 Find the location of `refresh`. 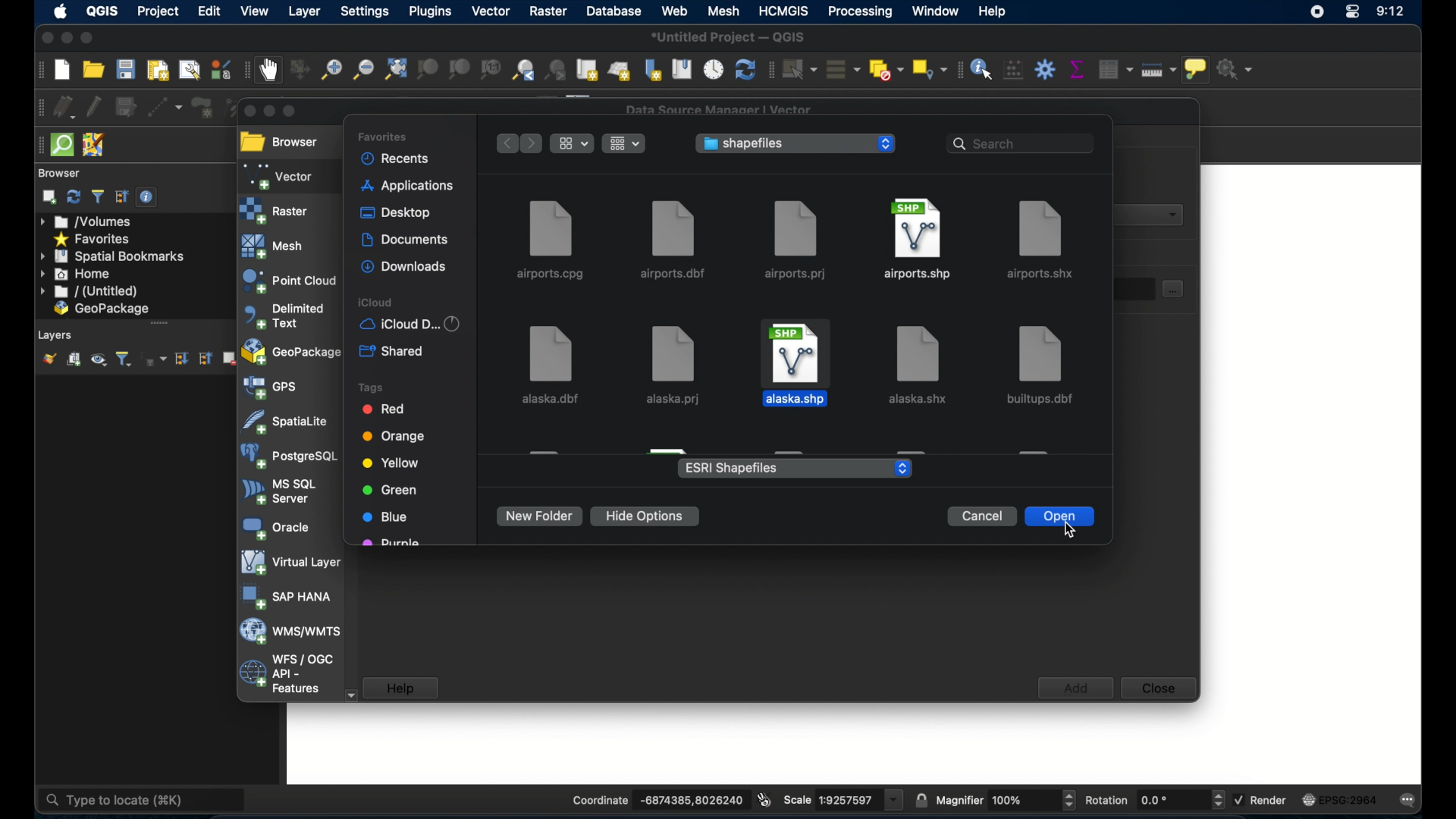

refresh is located at coordinates (74, 197).